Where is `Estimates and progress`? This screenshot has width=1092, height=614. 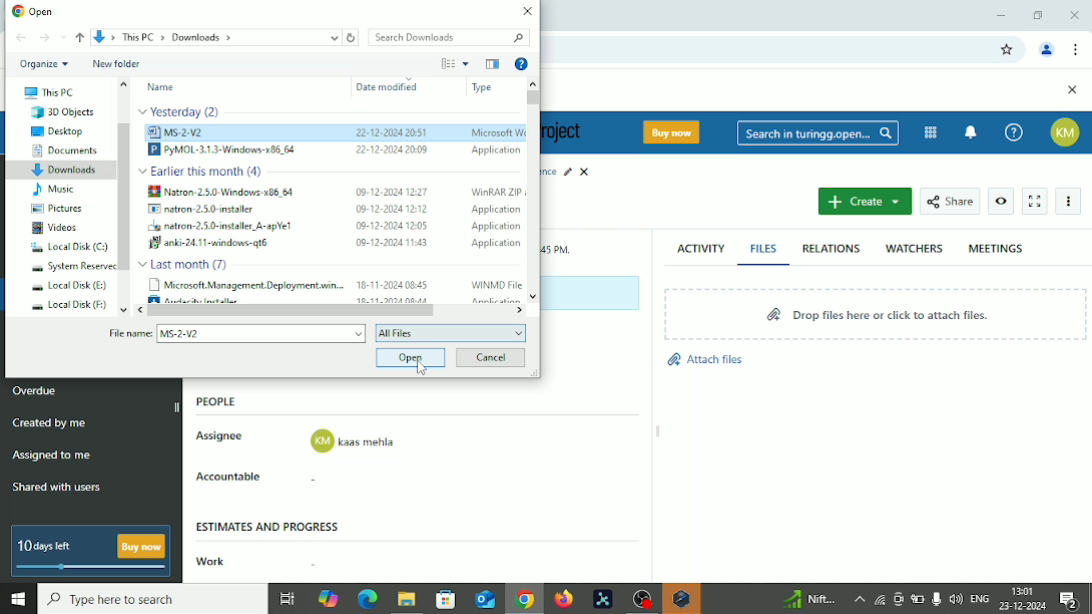 Estimates and progress is located at coordinates (271, 525).